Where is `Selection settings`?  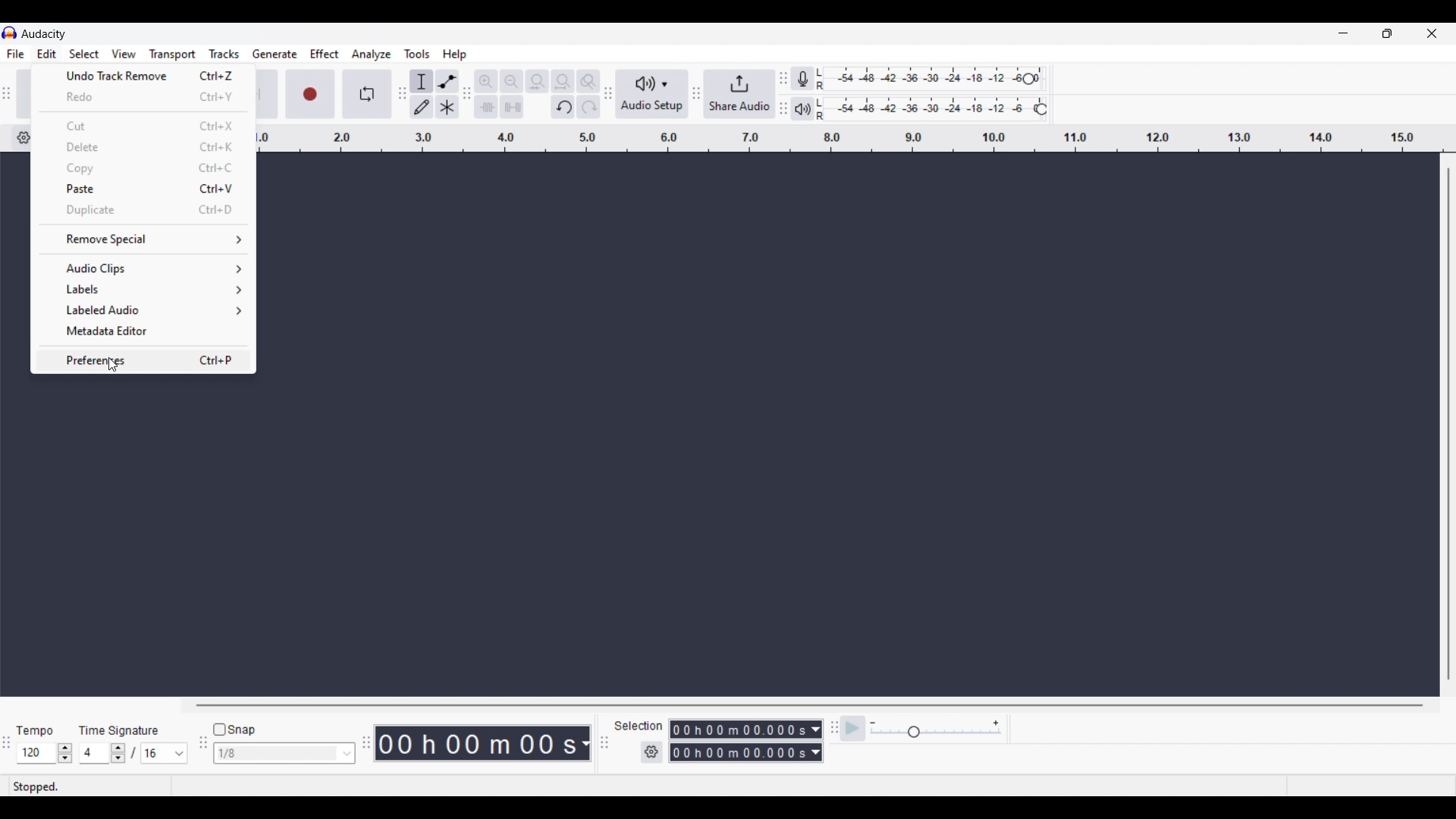 Selection settings is located at coordinates (652, 752).